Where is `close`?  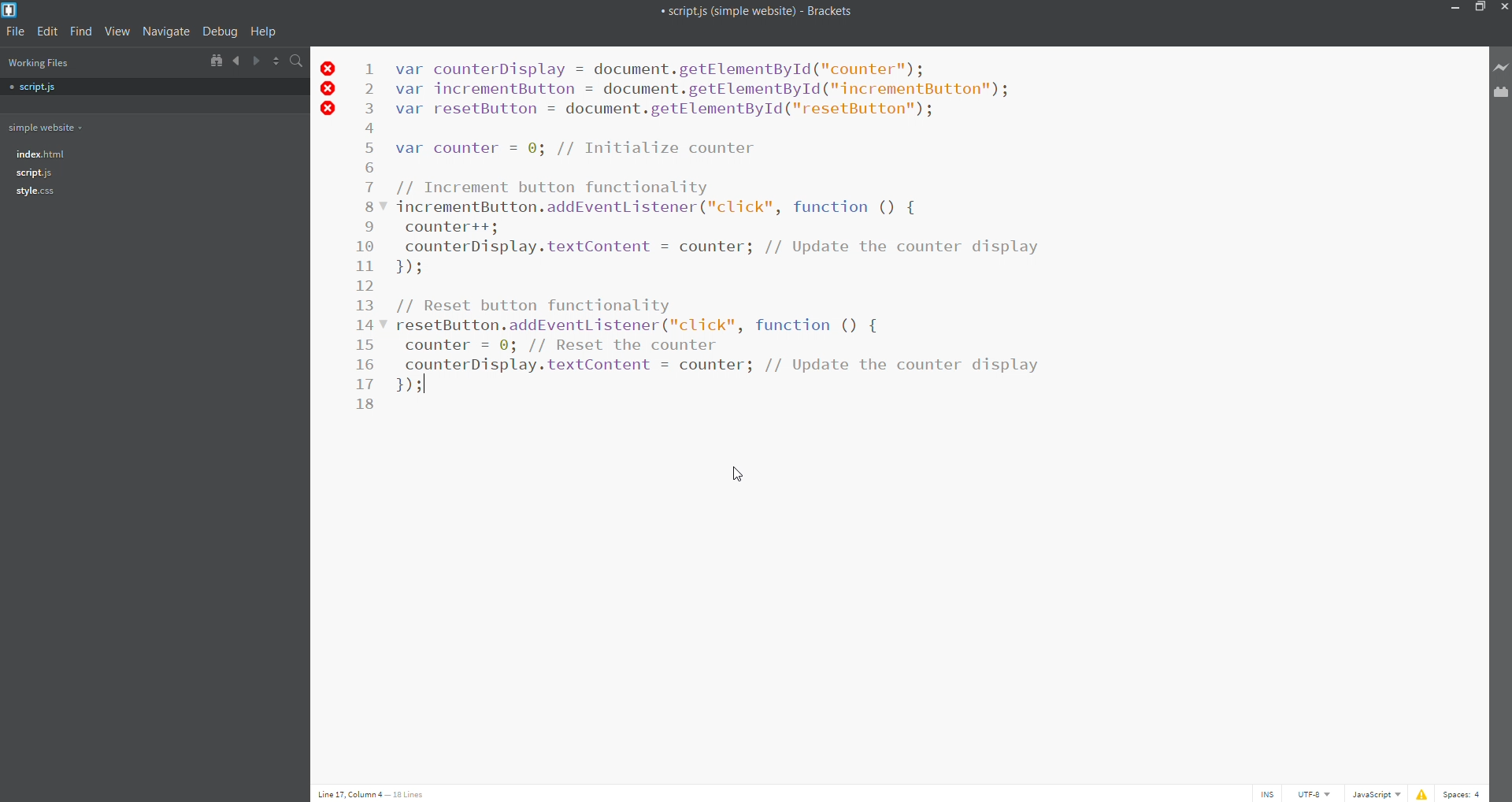
close is located at coordinates (1503, 7).